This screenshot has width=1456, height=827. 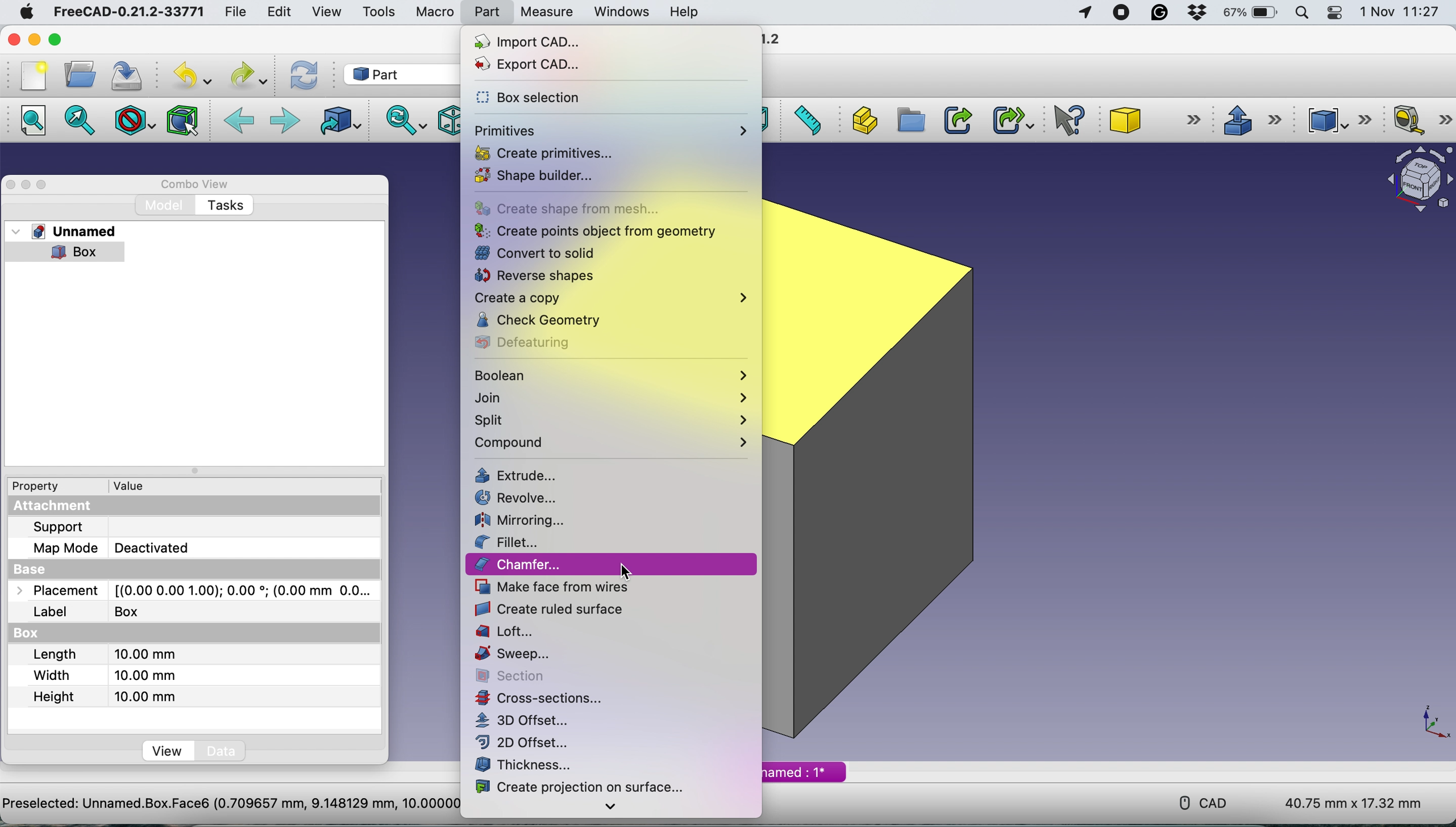 I want to click on object interface, so click(x=1418, y=181).